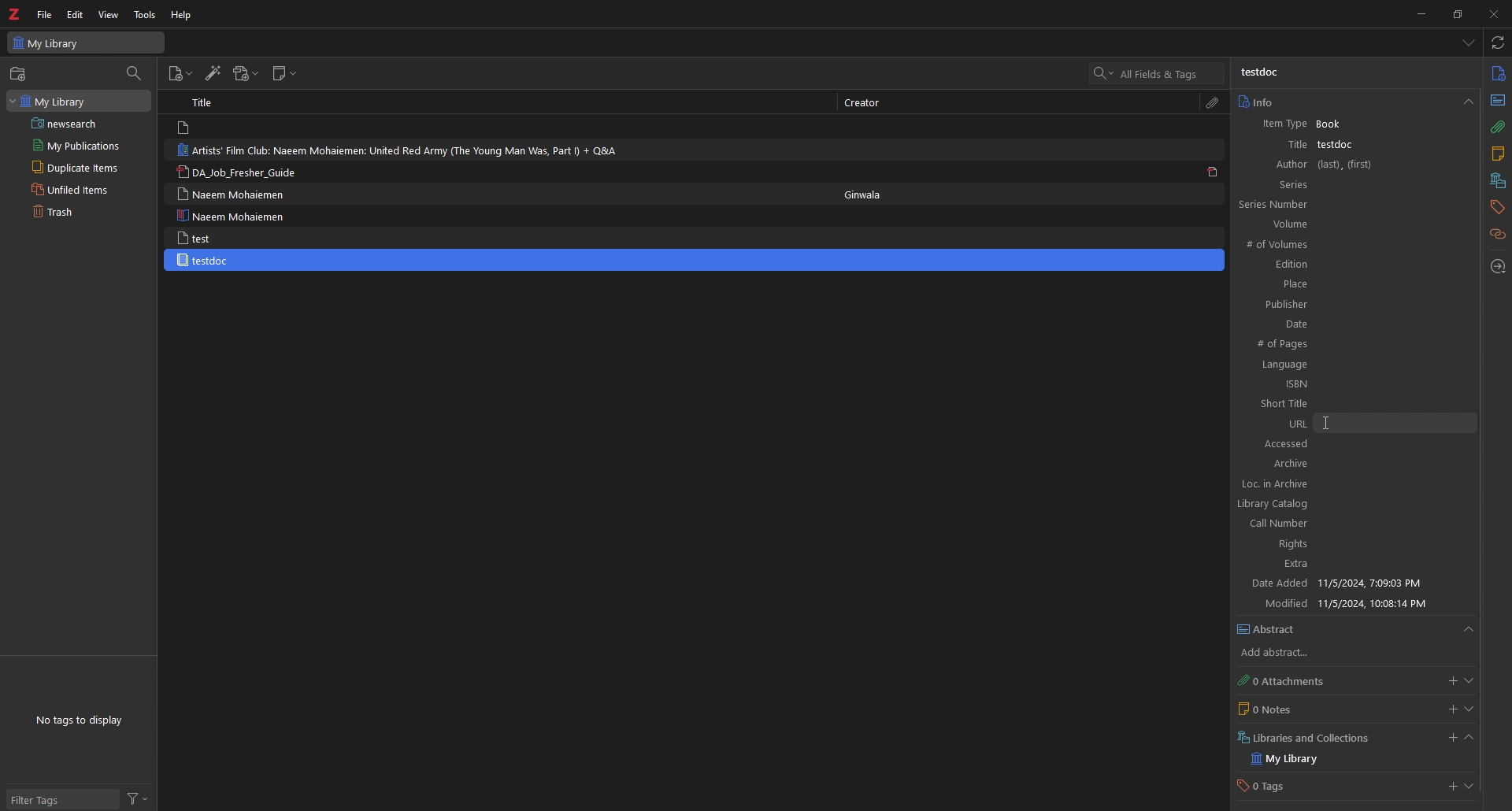 This screenshot has height=811, width=1512. I want to click on logo, so click(15, 14).